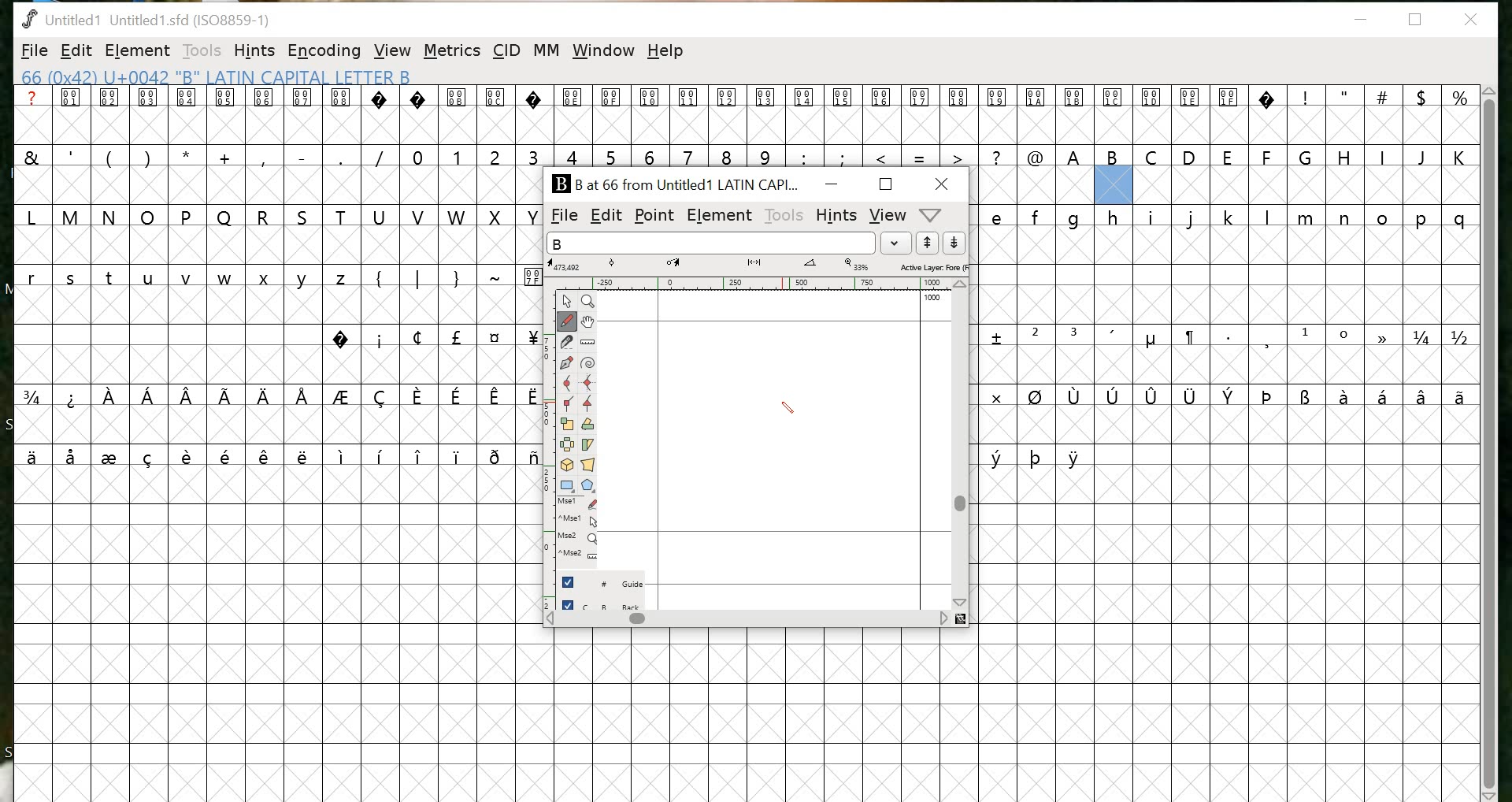 The width and height of the screenshot is (1512, 802). Describe the element at coordinates (764, 429) in the screenshot. I see `drawing space` at that location.